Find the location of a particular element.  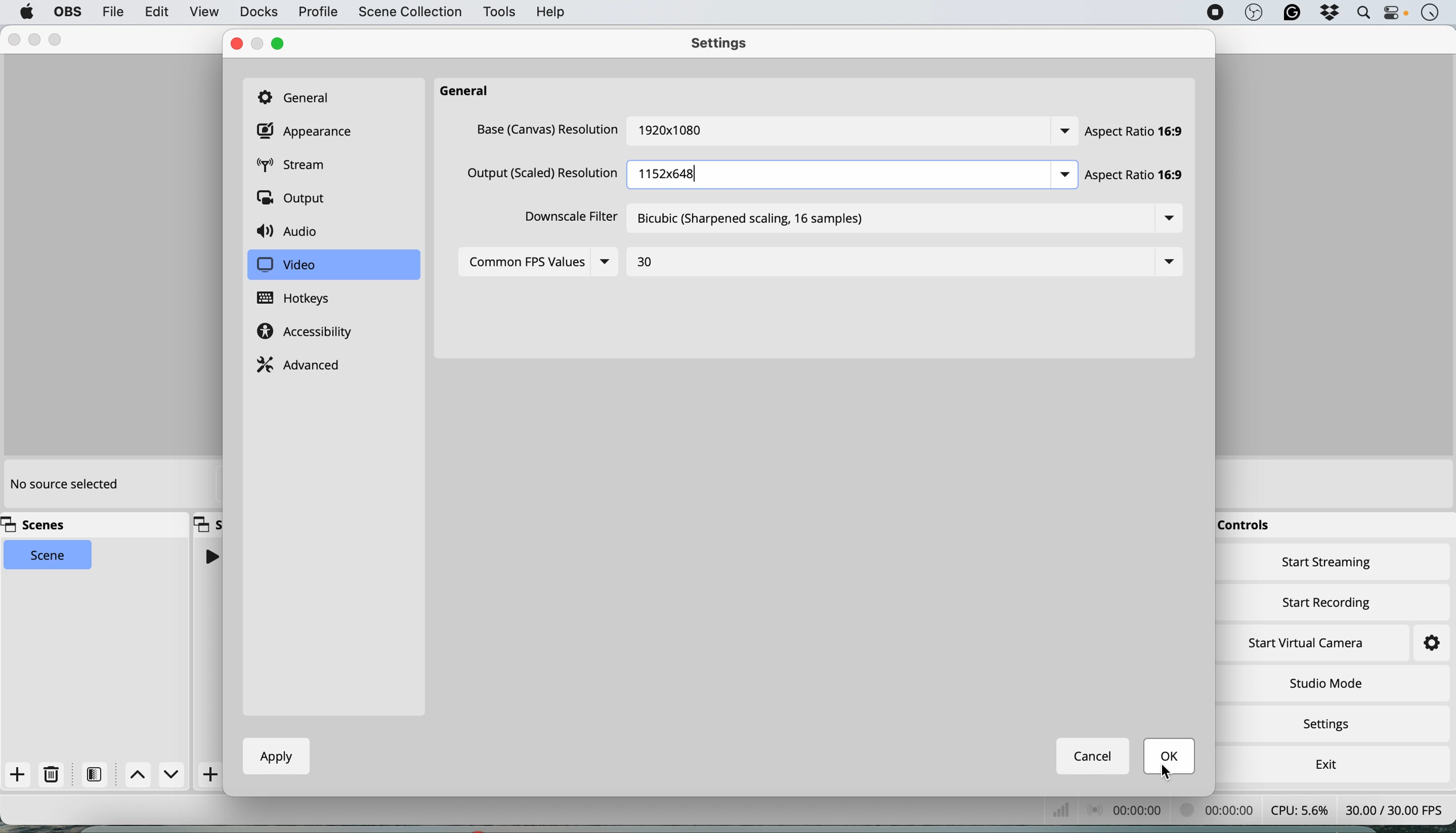

list is located at coordinates (1065, 174).